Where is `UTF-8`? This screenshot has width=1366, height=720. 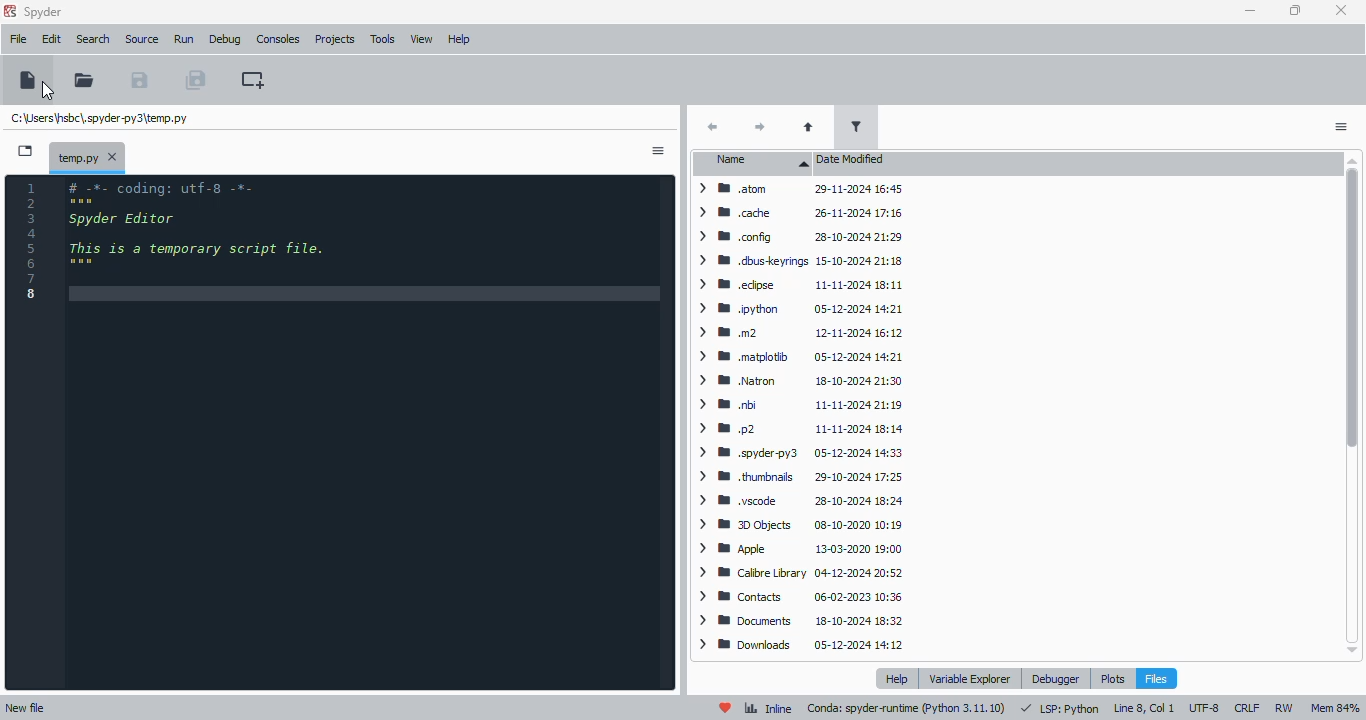
UTF-8 is located at coordinates (1205, 709).